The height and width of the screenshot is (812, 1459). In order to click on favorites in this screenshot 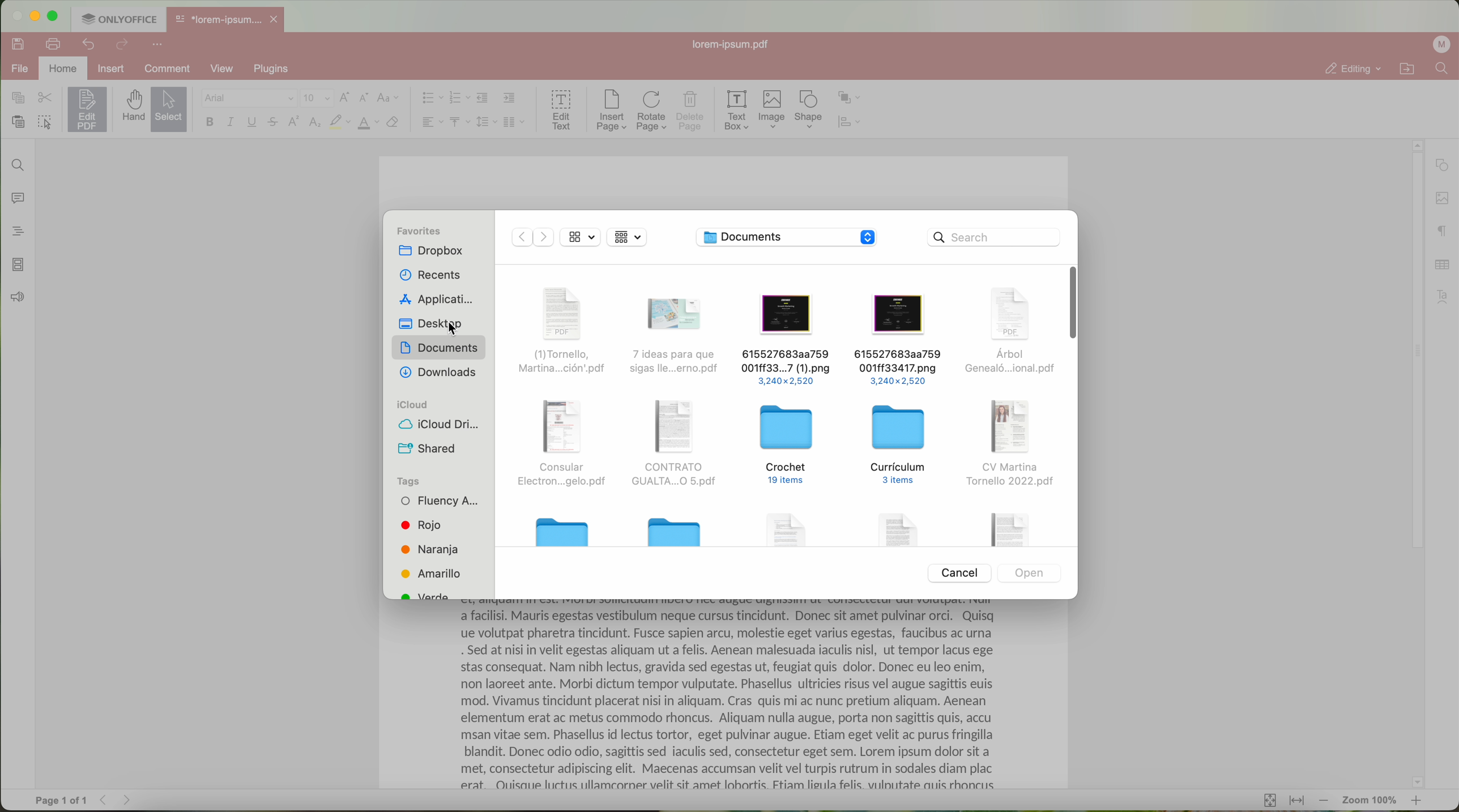, I will do `click(416, 231)`.